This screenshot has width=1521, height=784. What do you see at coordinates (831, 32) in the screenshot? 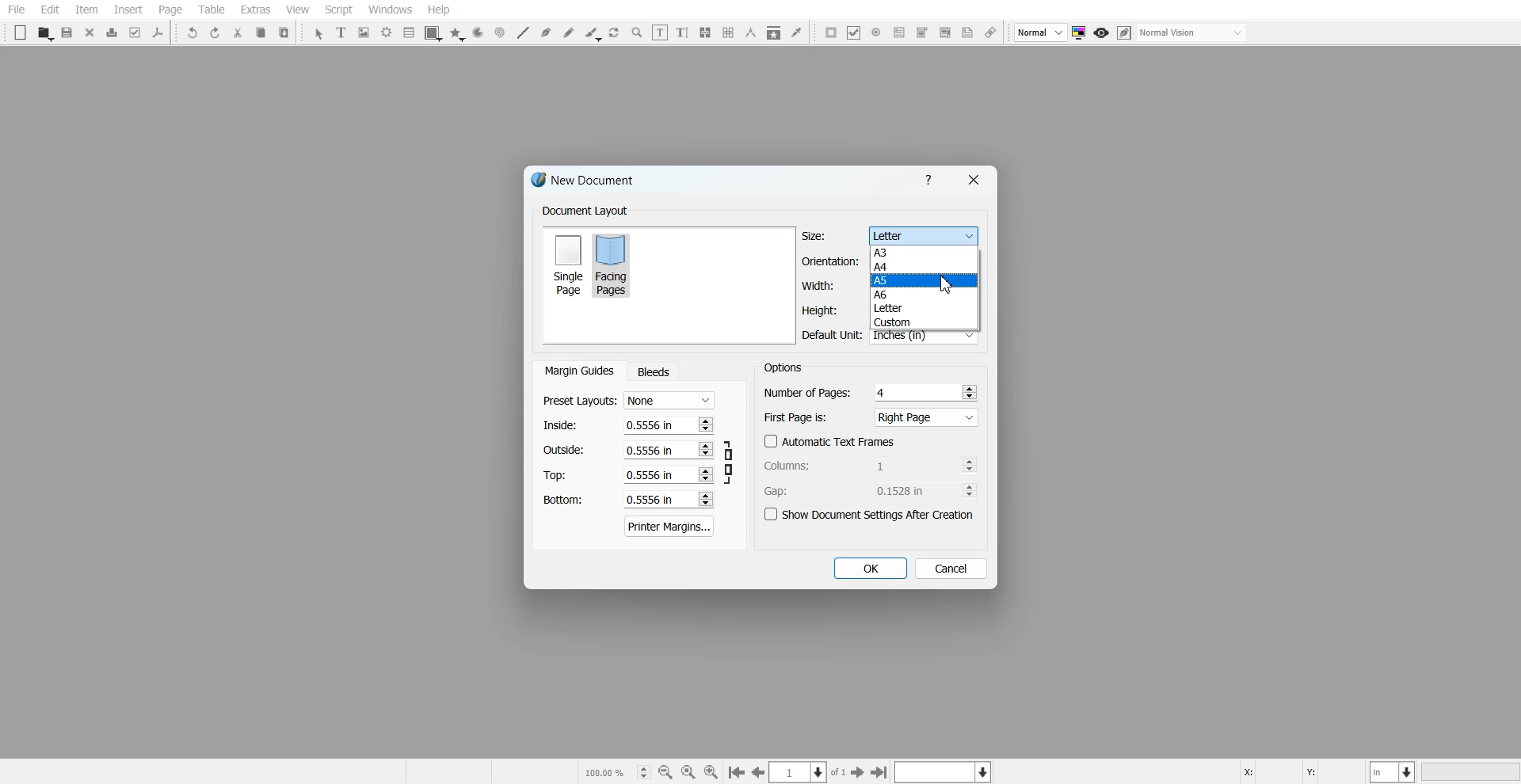
I see `PDF Push button` at bounding box center [831, 32].